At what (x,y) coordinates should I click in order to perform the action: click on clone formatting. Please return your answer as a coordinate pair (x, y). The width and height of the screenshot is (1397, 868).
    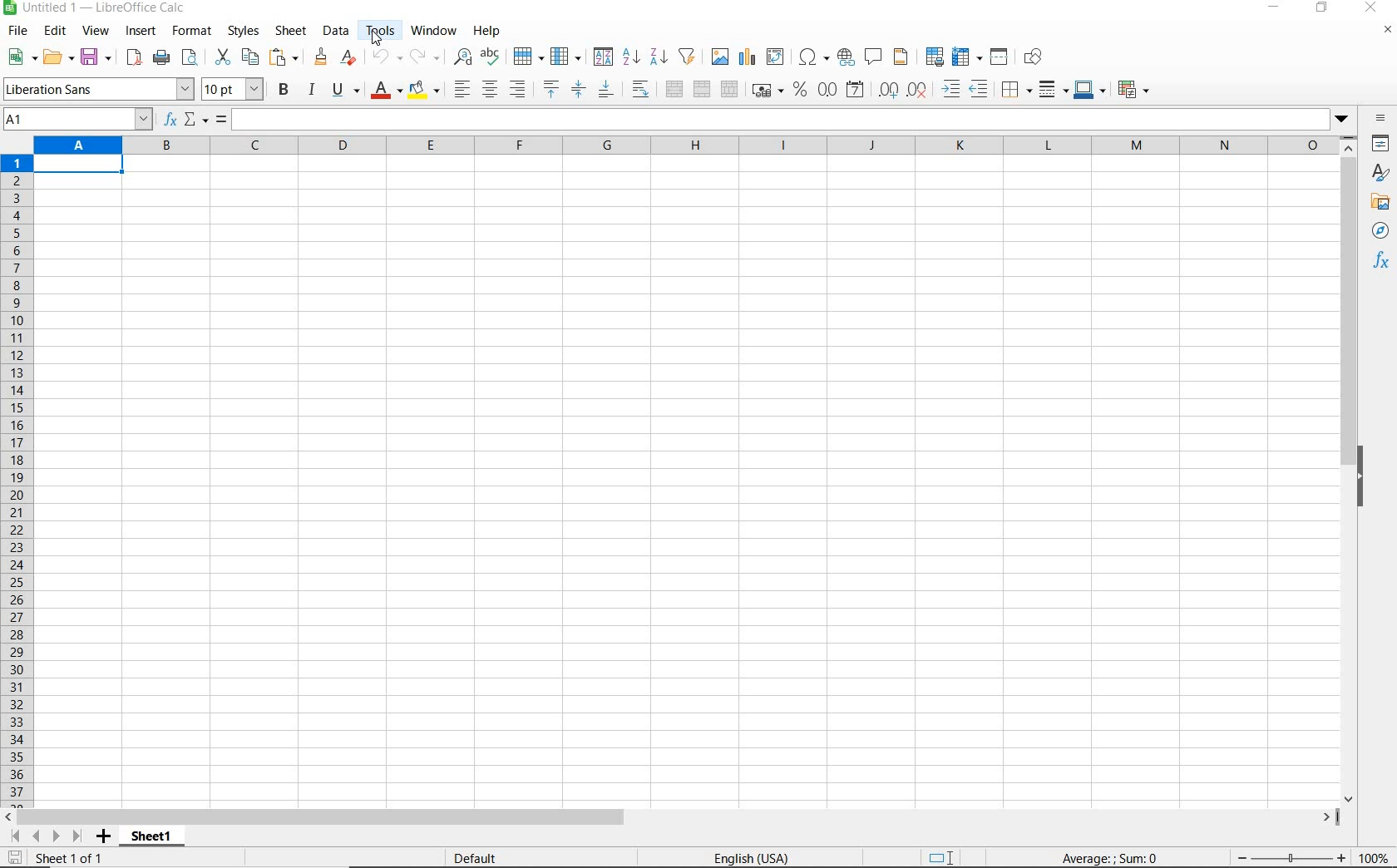
    Looking at the image, I should click on (321, 57).